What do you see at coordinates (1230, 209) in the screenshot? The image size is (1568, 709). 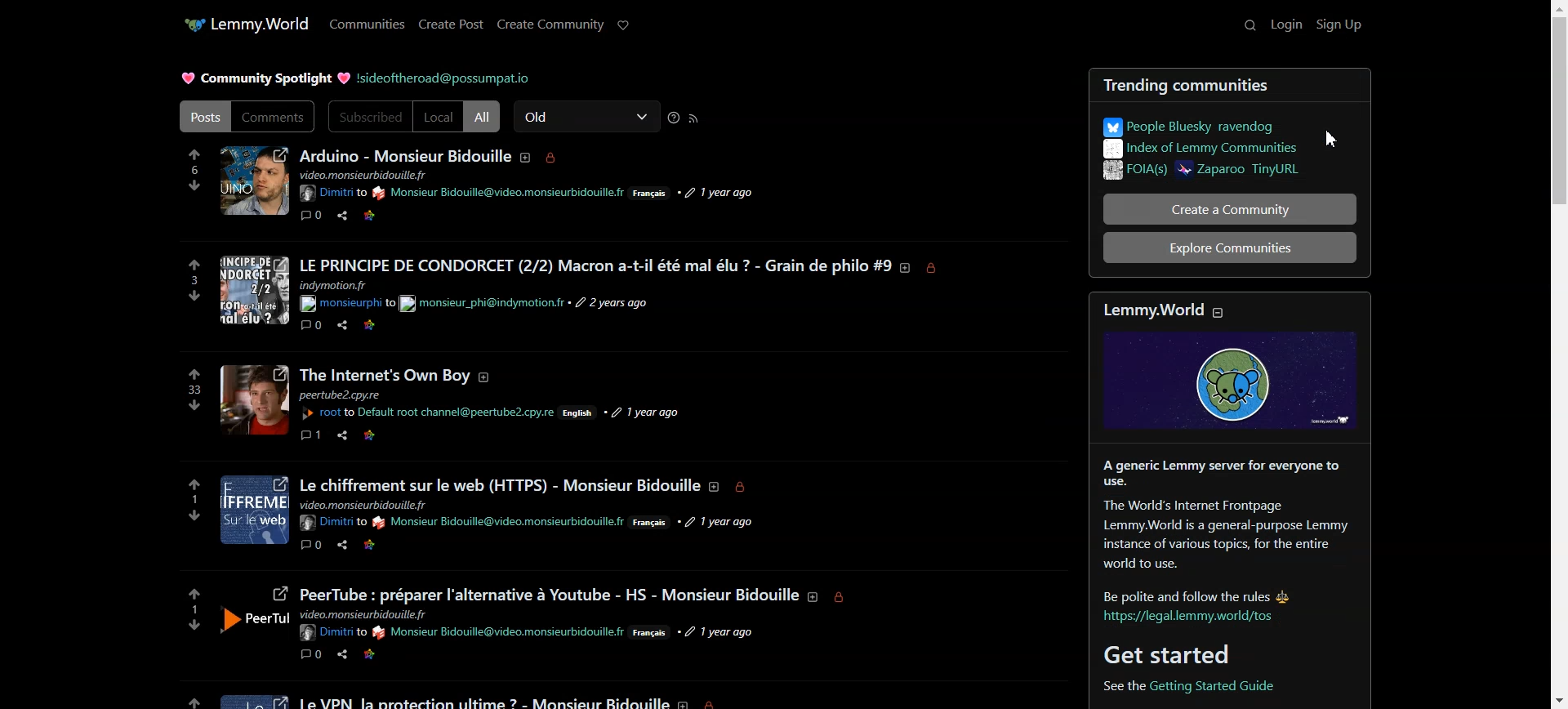 I see `Create a Community` at bounding box center [1230, 209].